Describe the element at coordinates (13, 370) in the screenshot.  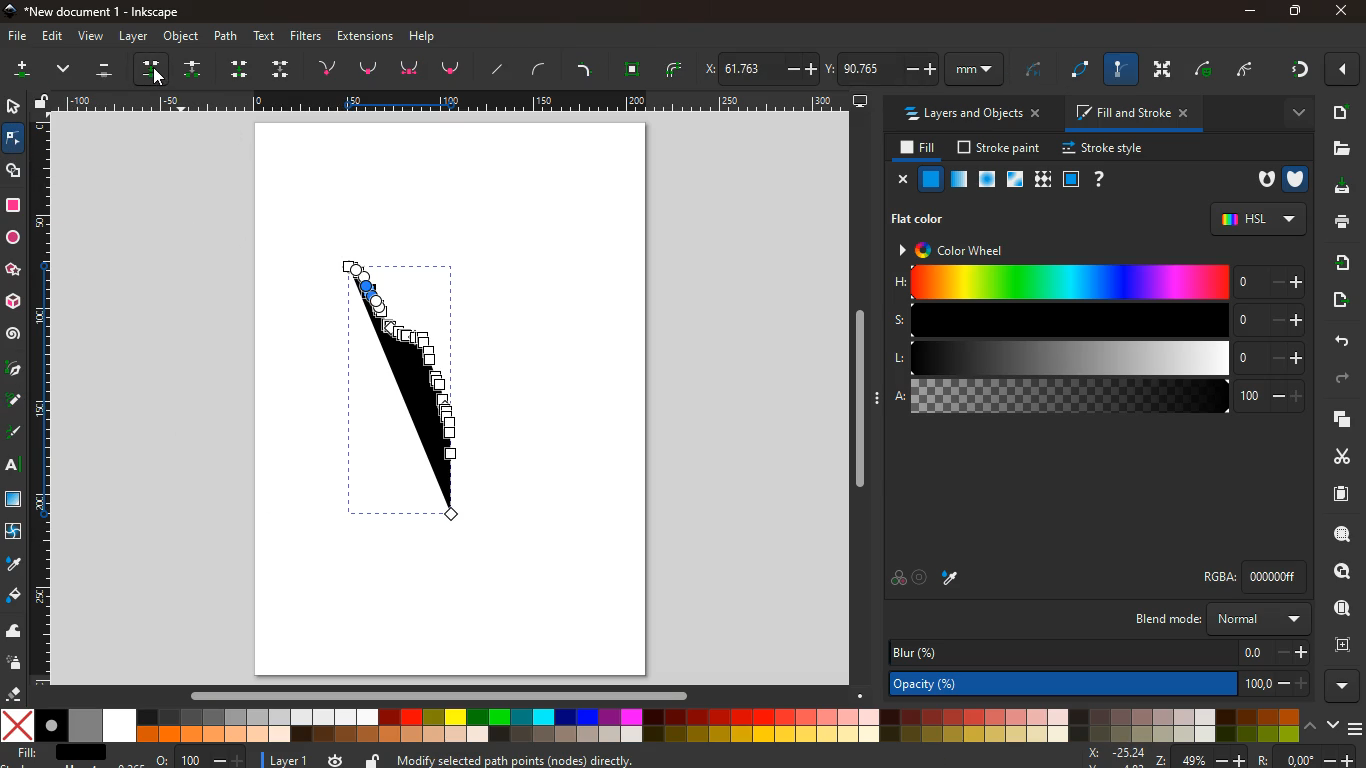
I see `pick` at that location.